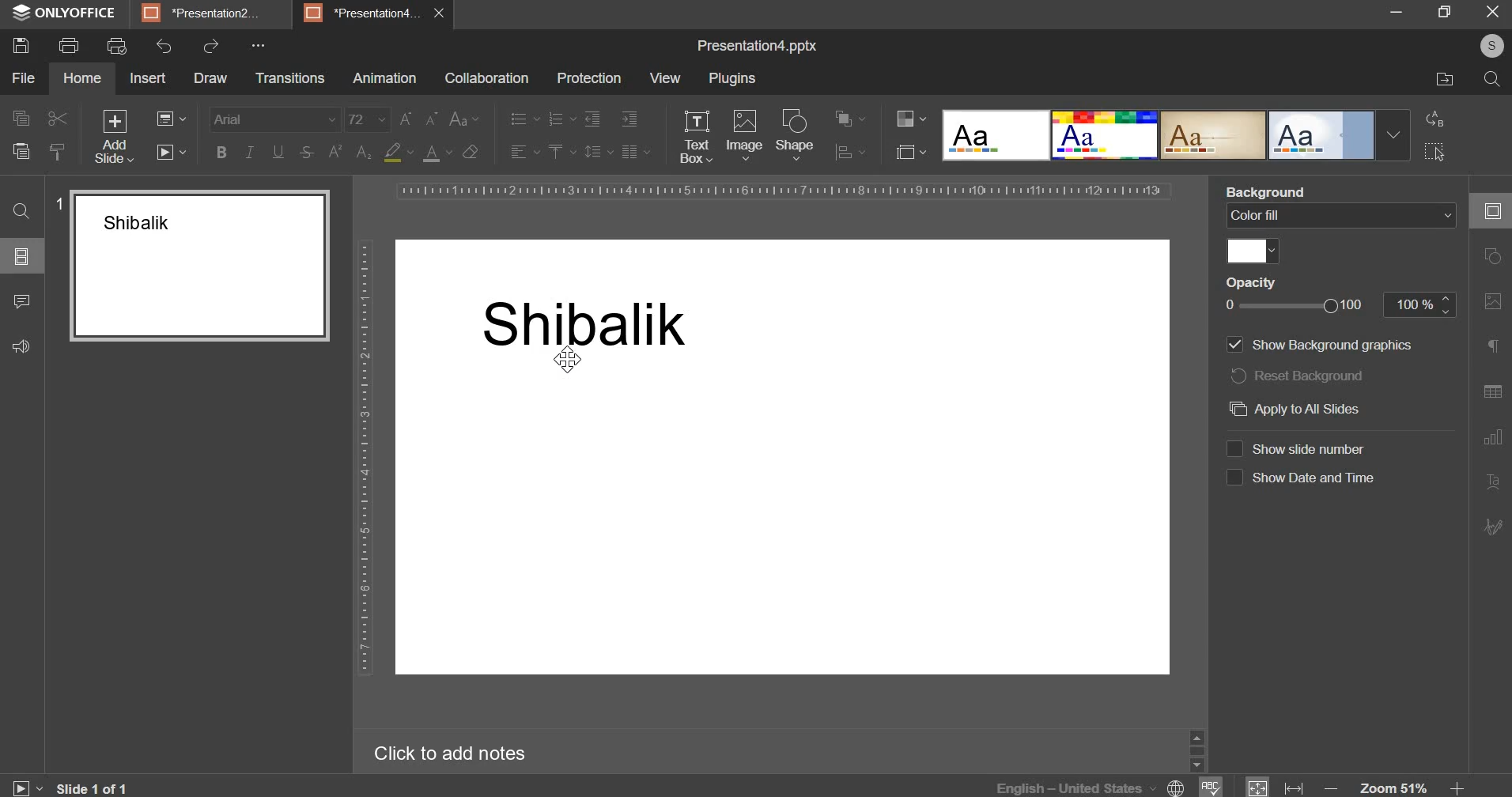 Image resolution: width=1512 pixels, height=797 pixels. Describe the element at coordinates (1177, 135) in the screenshot. I see `design` at that location.